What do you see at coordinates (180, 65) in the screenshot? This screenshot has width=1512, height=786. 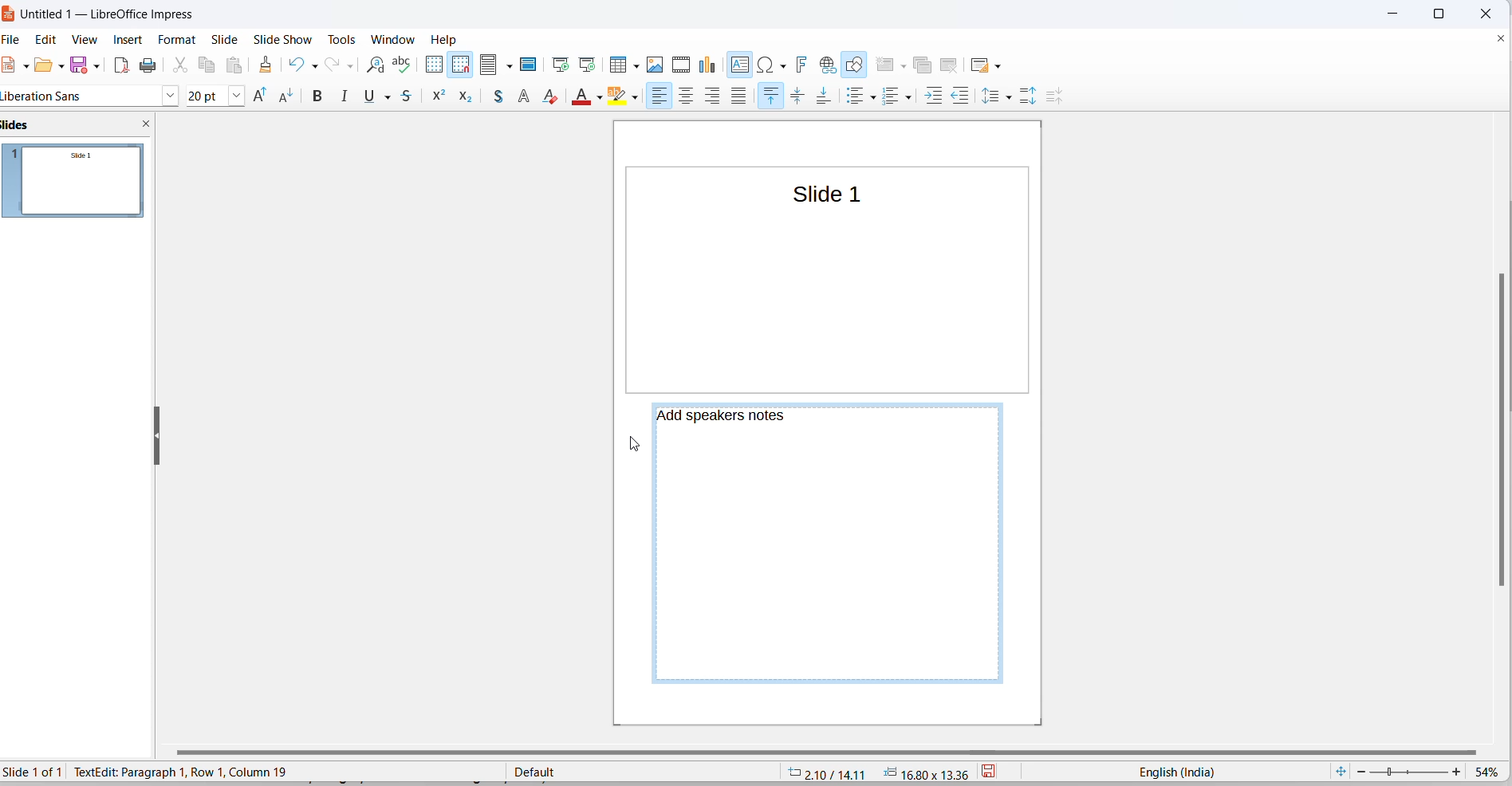 I see `cut` at bounding box center [180, 65].